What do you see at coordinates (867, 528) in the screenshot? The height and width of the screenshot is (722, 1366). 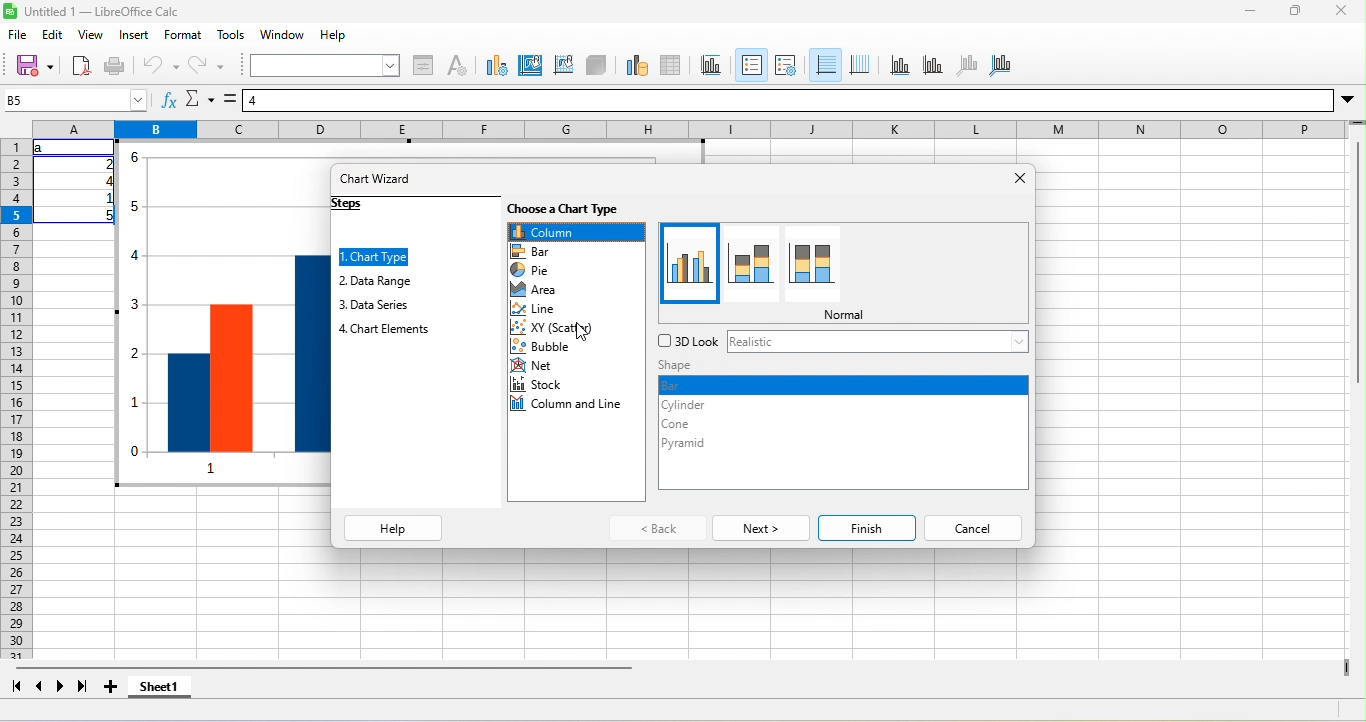 I see `finish` at bounding box center [867, 528].